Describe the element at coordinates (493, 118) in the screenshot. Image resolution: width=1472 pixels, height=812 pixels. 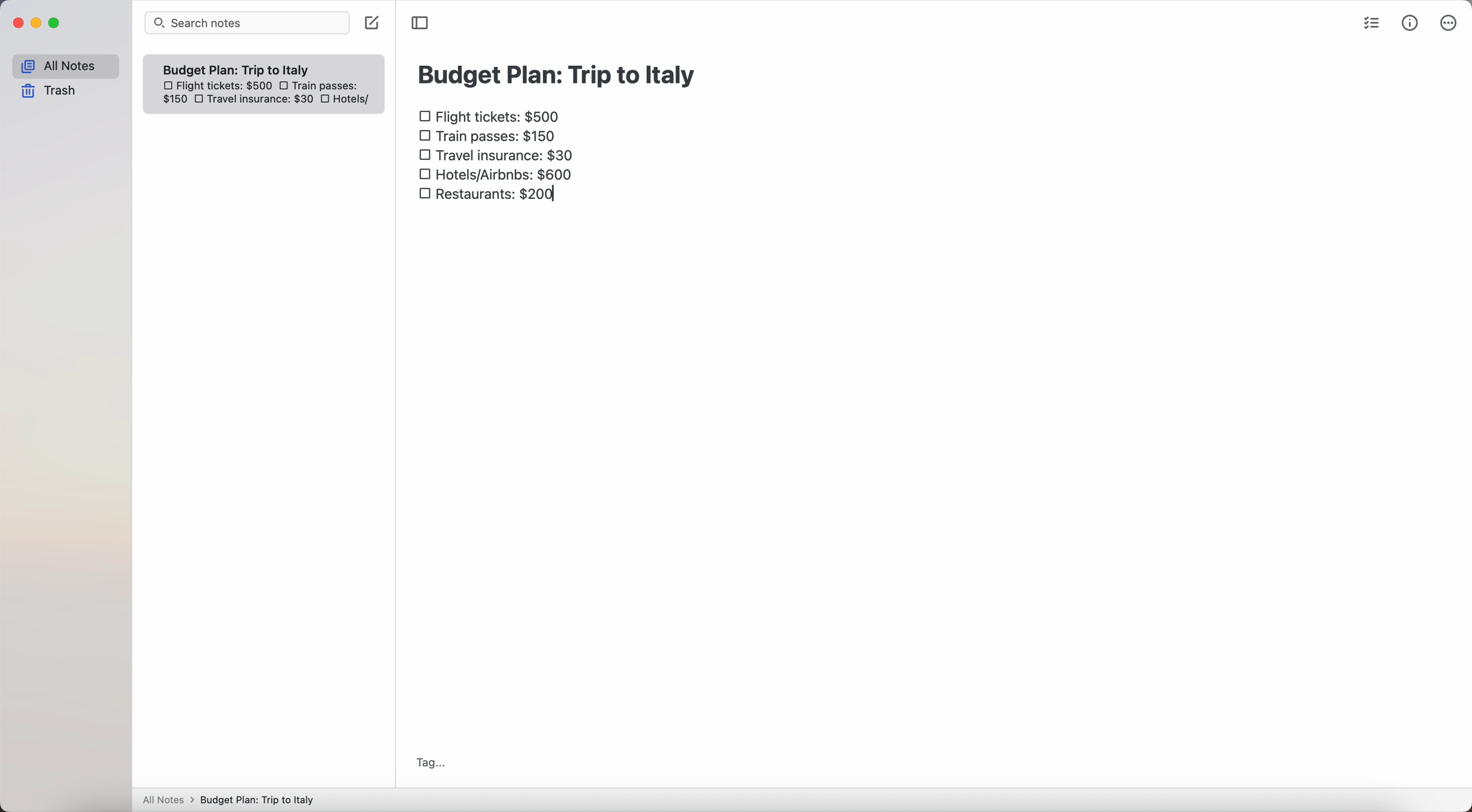
I see `flight tickets: $500 checkbox` at that location.